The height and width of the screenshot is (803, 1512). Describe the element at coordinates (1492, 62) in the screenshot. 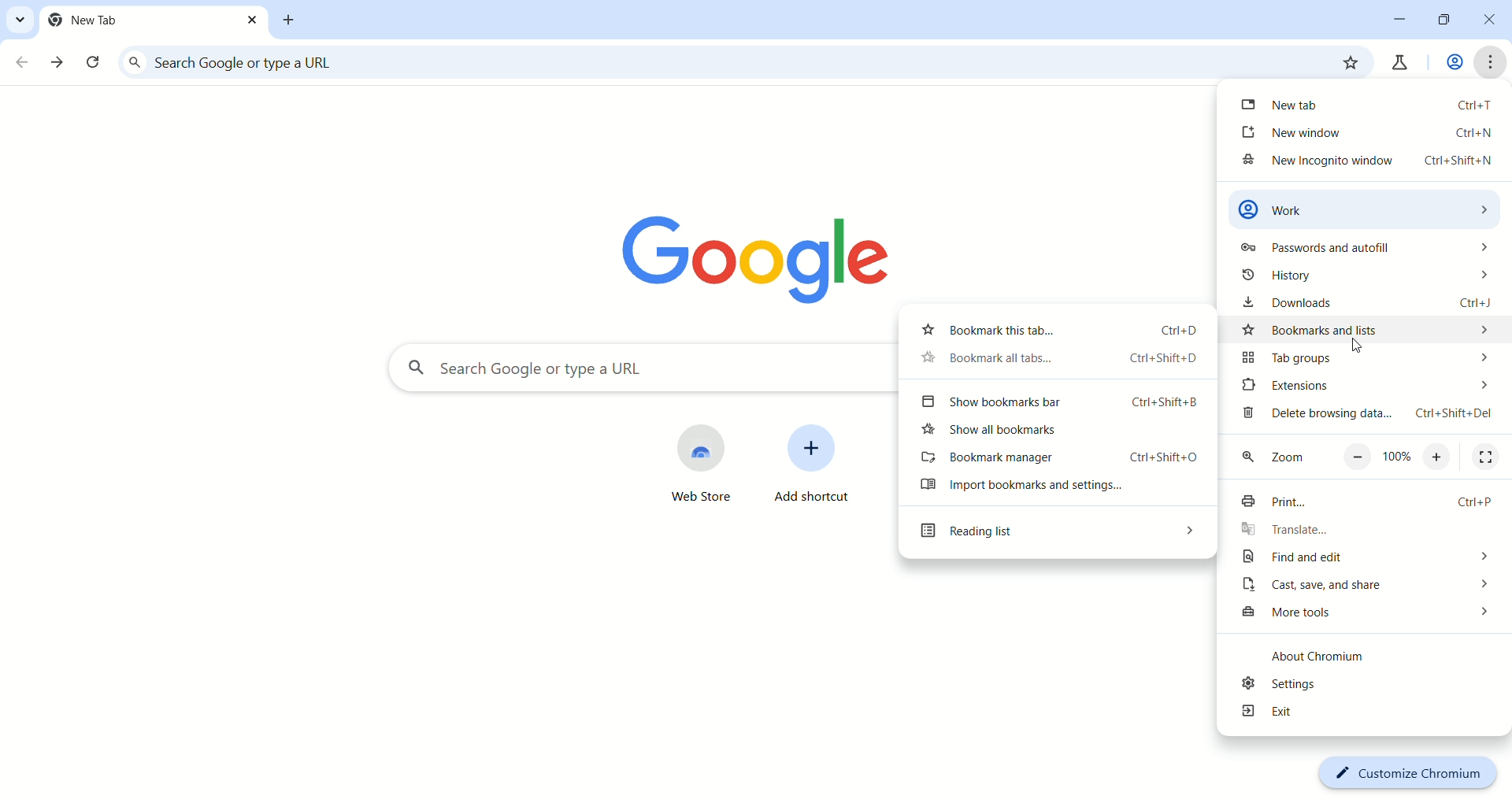

I see `customize and control chrome` at that location.